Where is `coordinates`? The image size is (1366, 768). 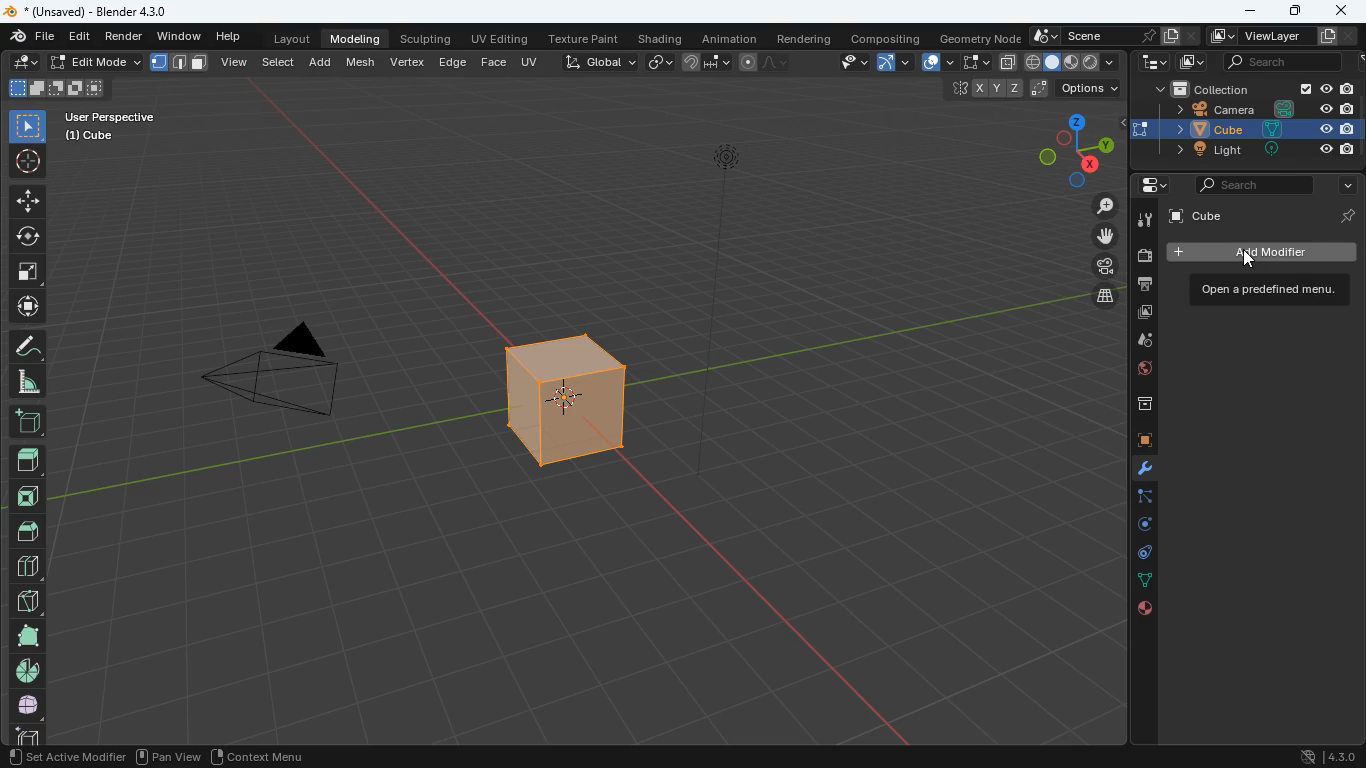
coordinates is located at coordinates (1035, 89).